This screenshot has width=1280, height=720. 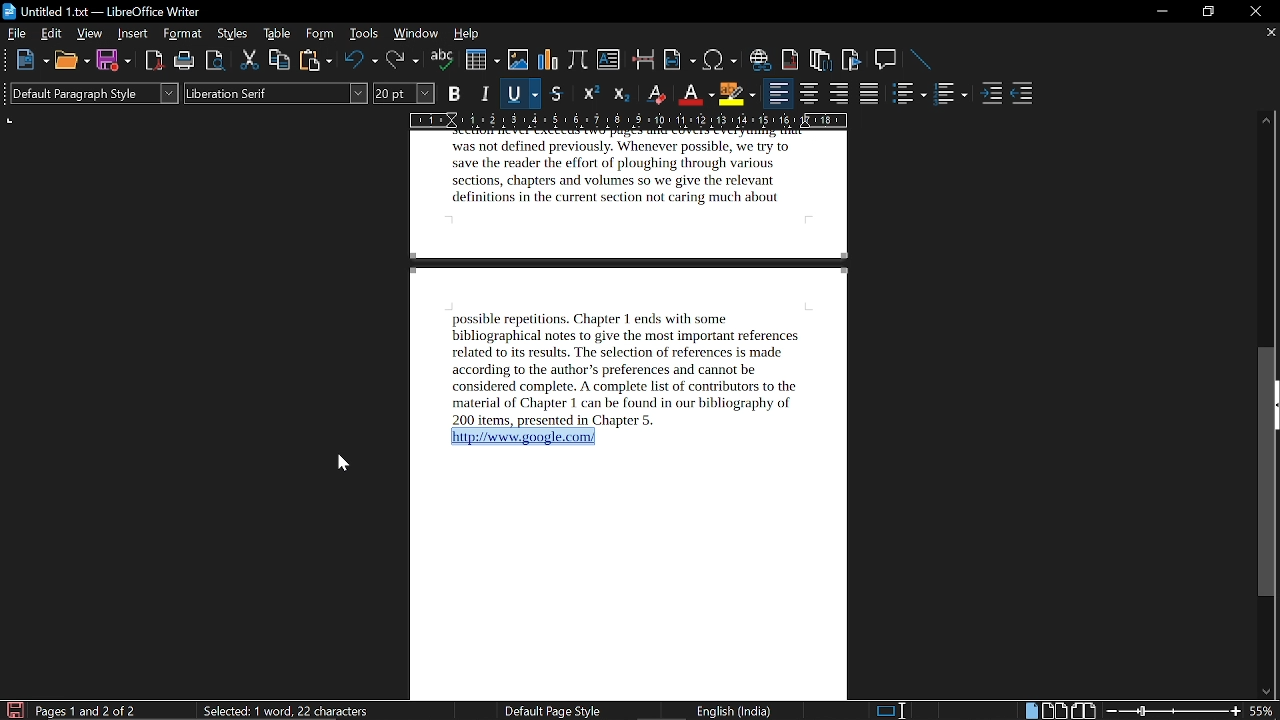 I want to click on copy, so click(x=280, y=61).